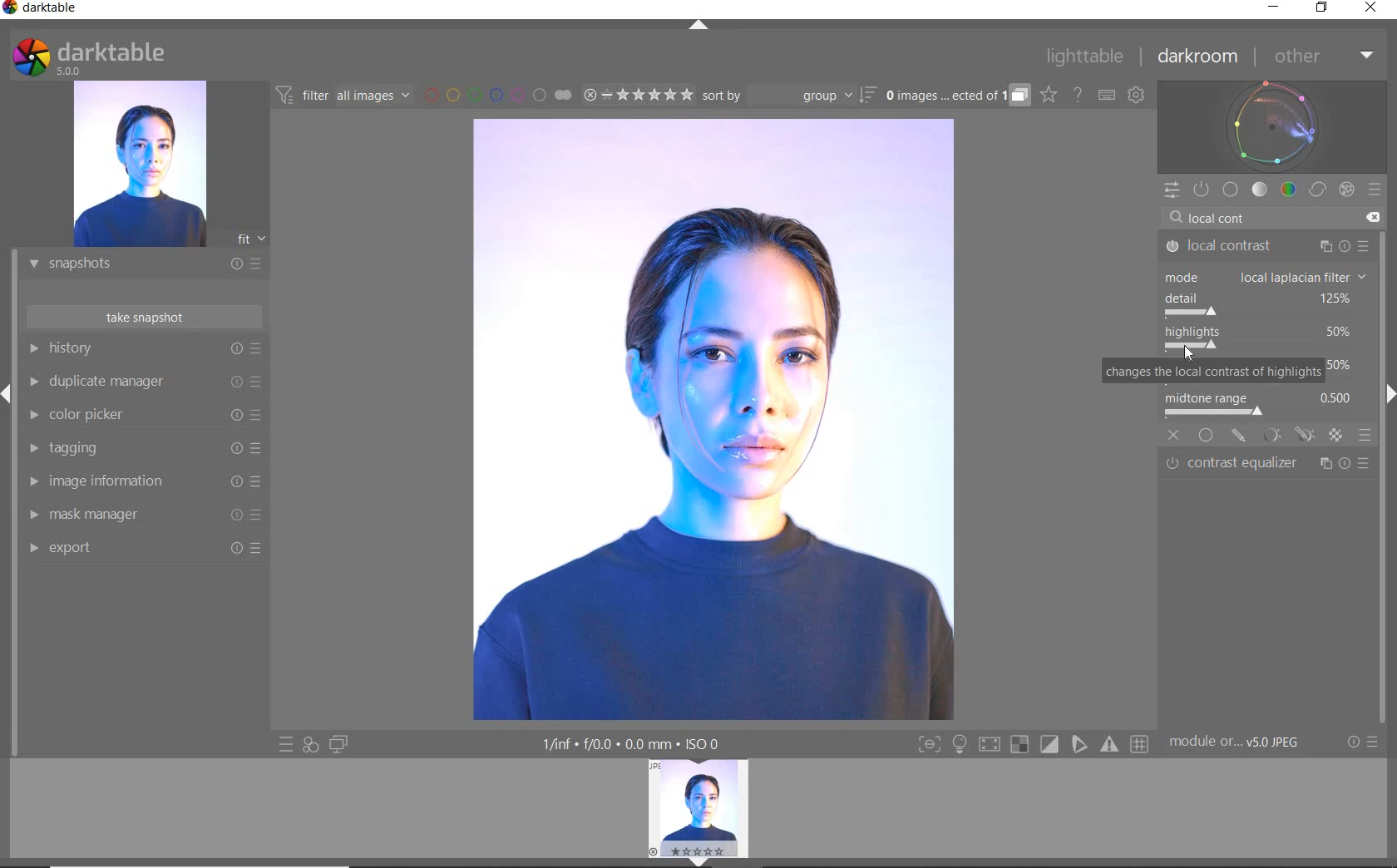 The image size is (1397, 868). I want to click on EFFECT, so click(1346, 189).